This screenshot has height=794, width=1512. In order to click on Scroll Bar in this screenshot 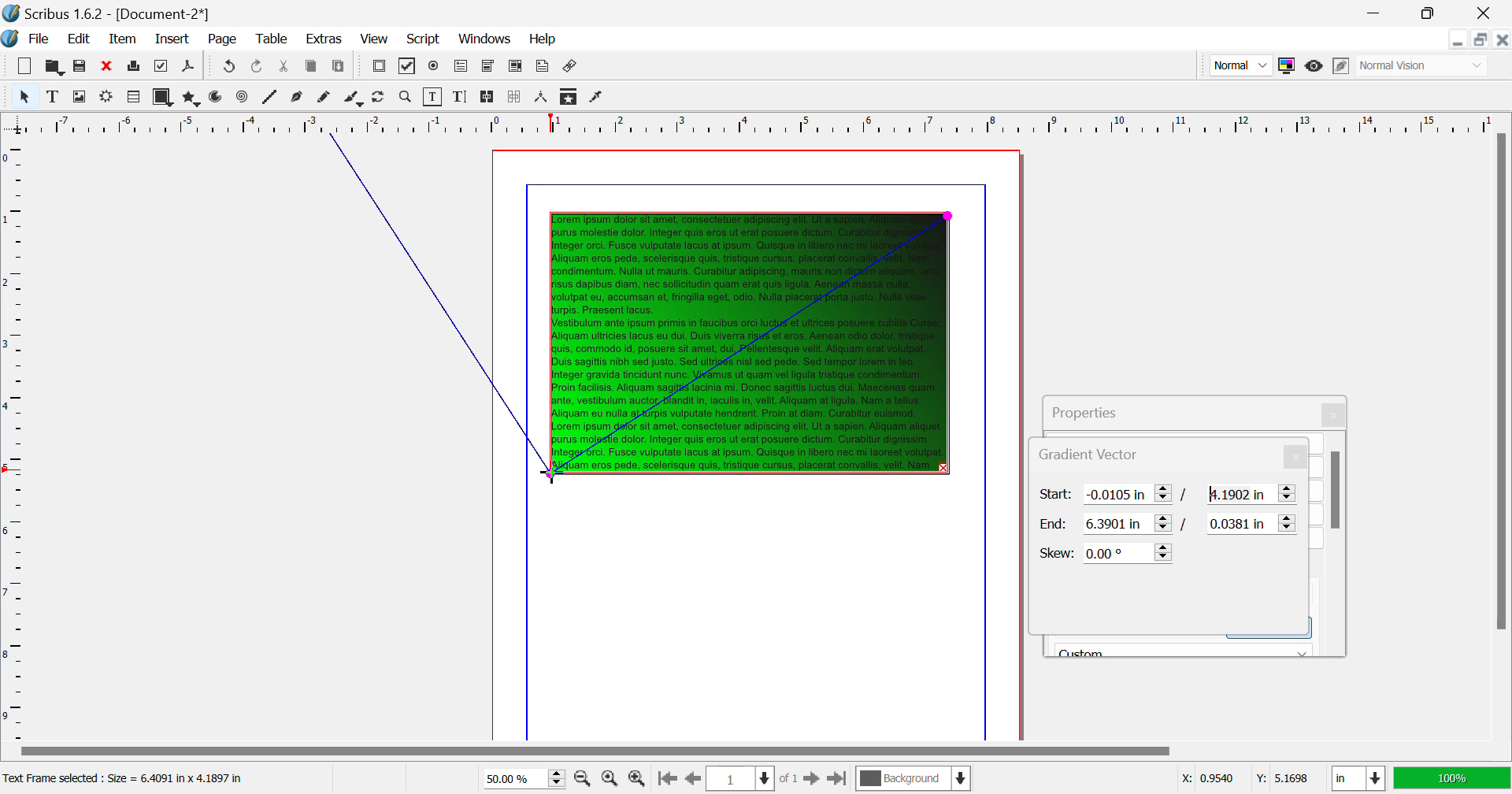, I will do `click(755, 752)`.